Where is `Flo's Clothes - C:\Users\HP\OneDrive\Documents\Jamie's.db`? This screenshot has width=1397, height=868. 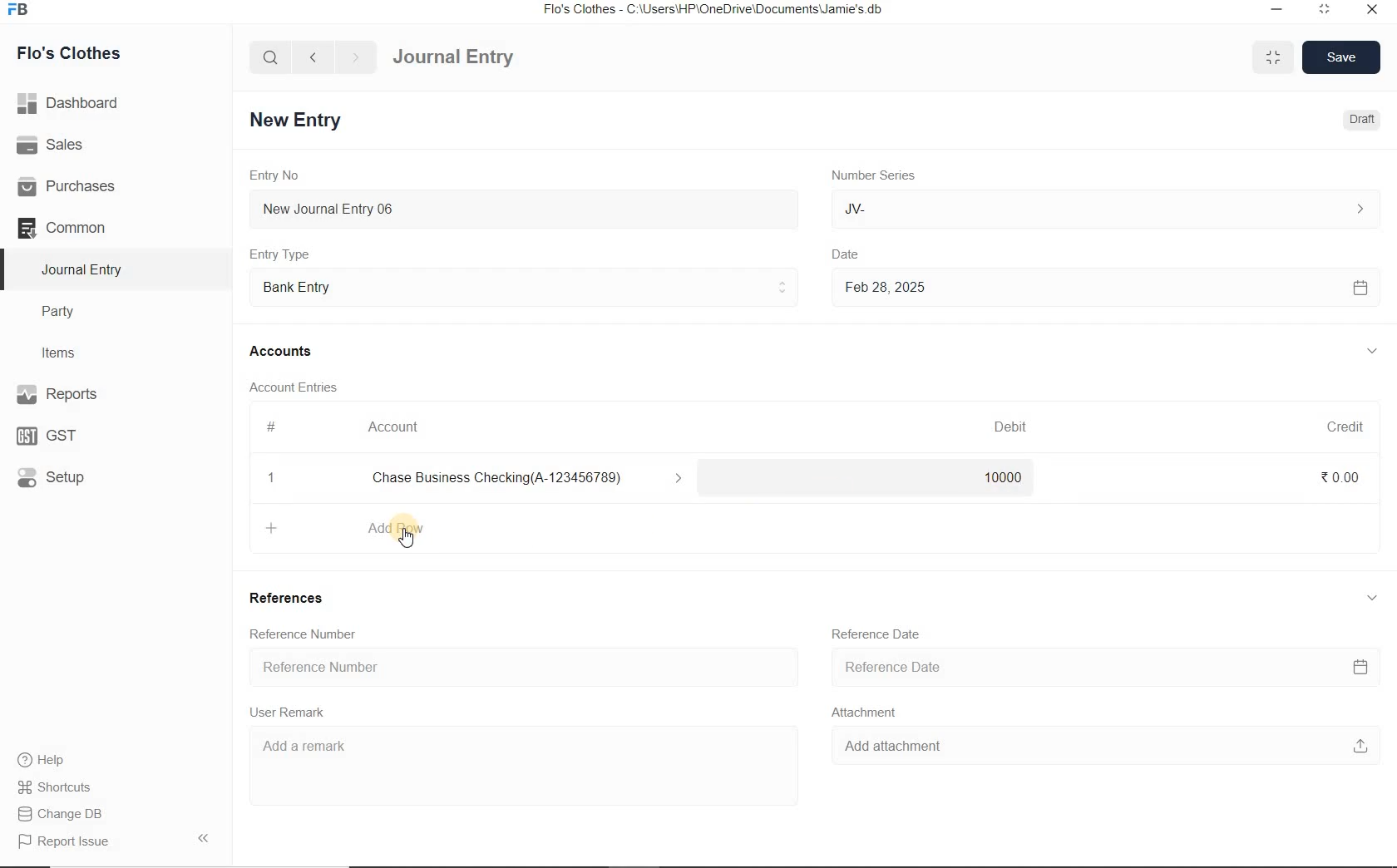 Flo's Clothes - C:\Users\HP\OneDrive\Documents\Jamie's.db is located at coordinates (714, 12).